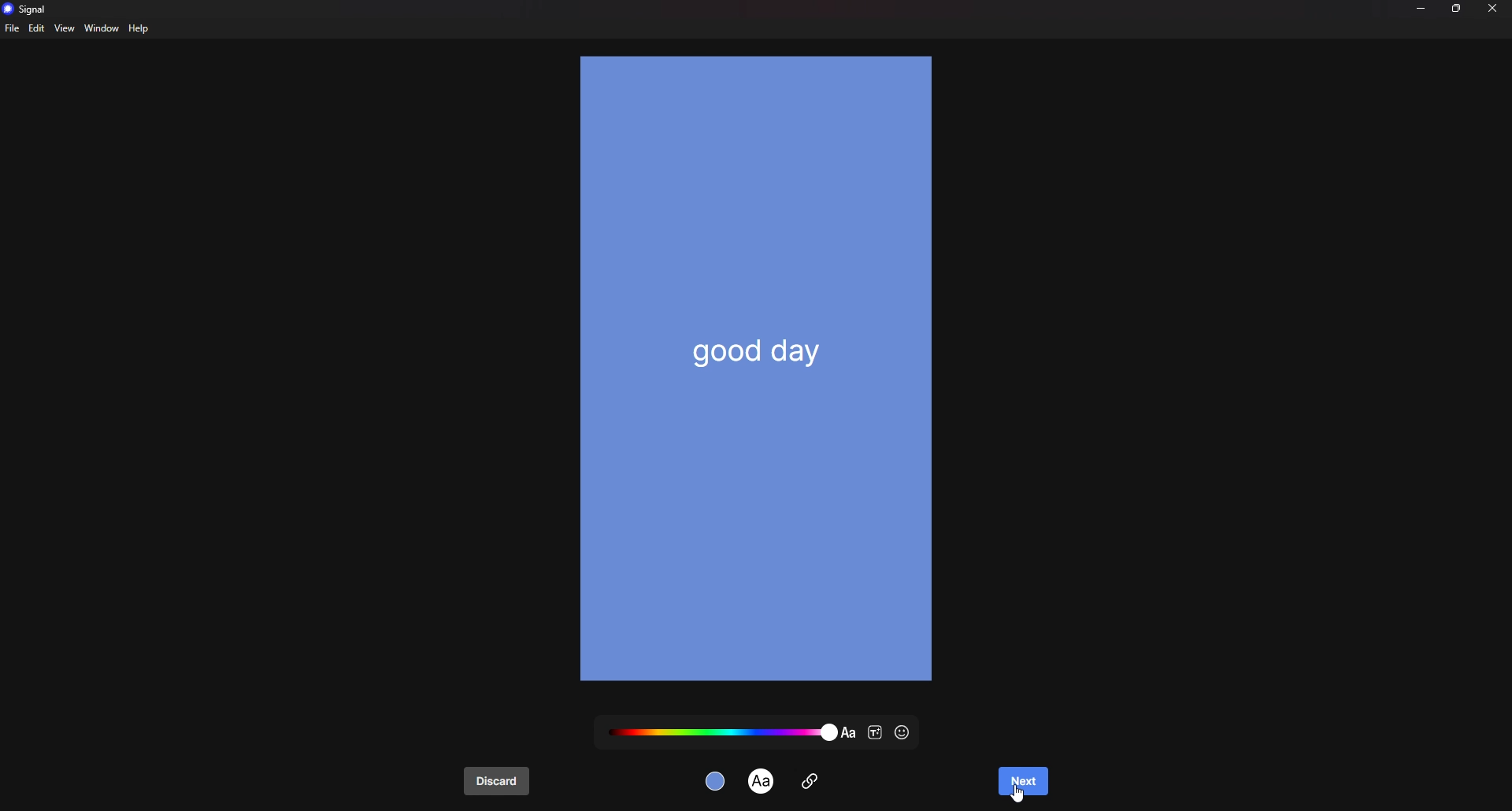 The height and width of the screenshot is (811, 1512). Describe the element at coordinates (497, 782) in the screenshot. I see `discard` at that location.